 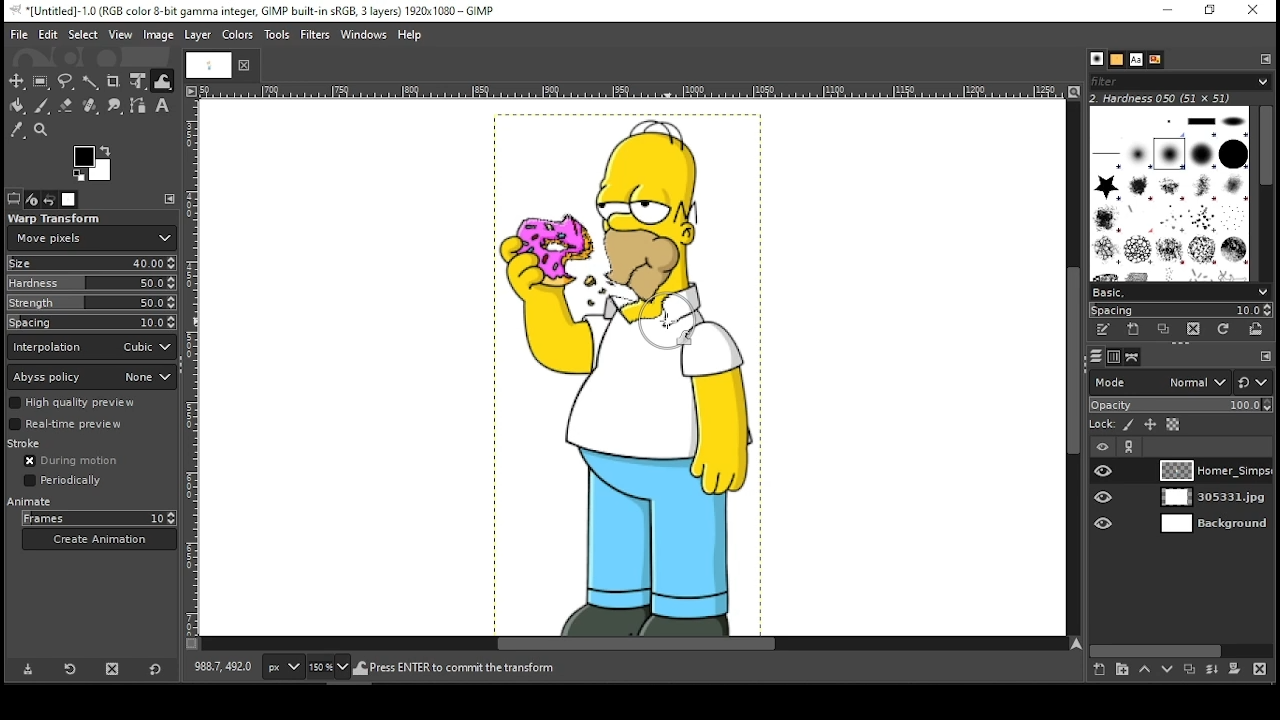 What do you see at coordinates (96, 163) in the screenshot?
I see `colors` at bounding box center [96, 163].